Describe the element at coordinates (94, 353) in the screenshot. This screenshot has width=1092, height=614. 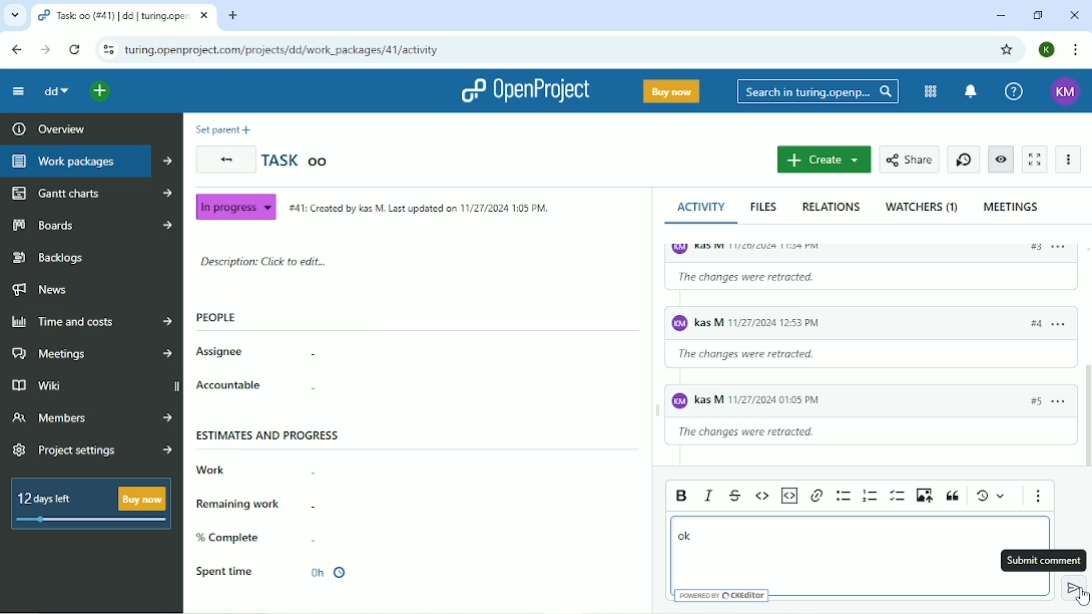
I see `Meetings` at that location.